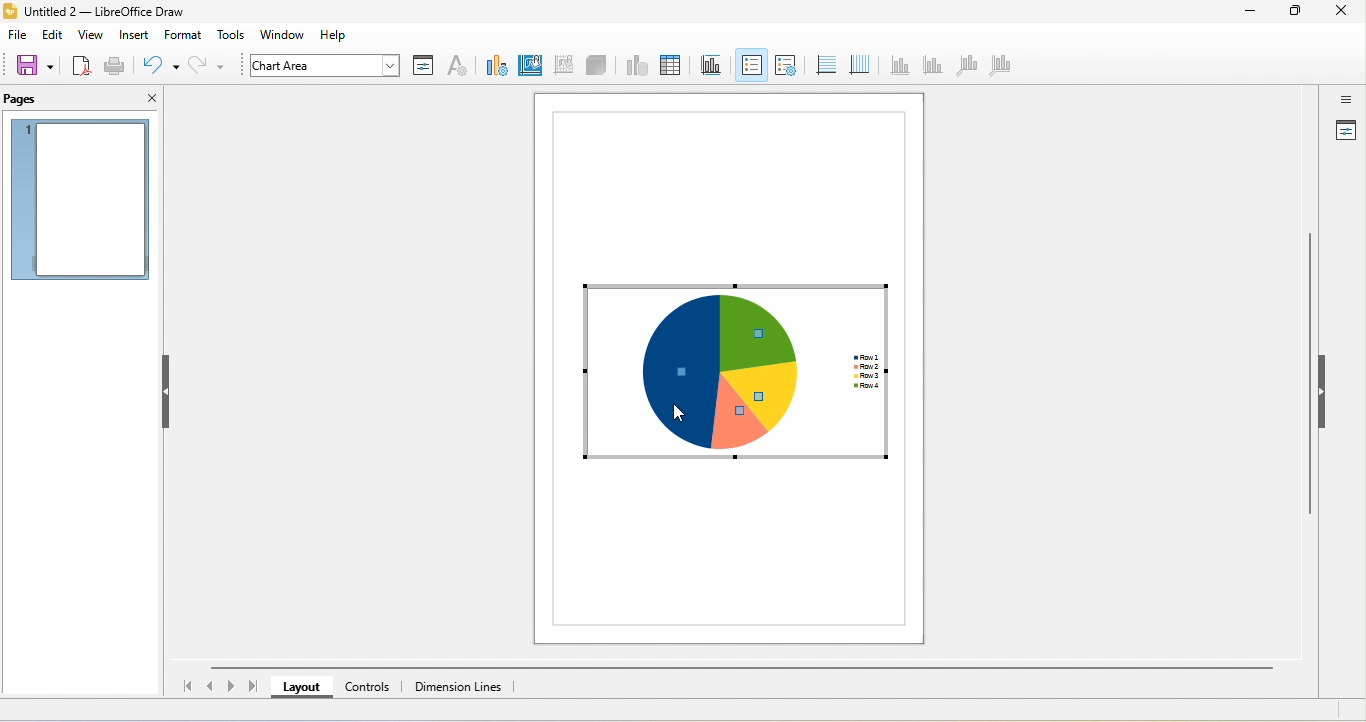 The height and width of the screenshot is (722, 1366). What do you see at coordinates (1345, 99) in the screenshot?
I see `toggle sidebar` at bounding box center [1345, 99].